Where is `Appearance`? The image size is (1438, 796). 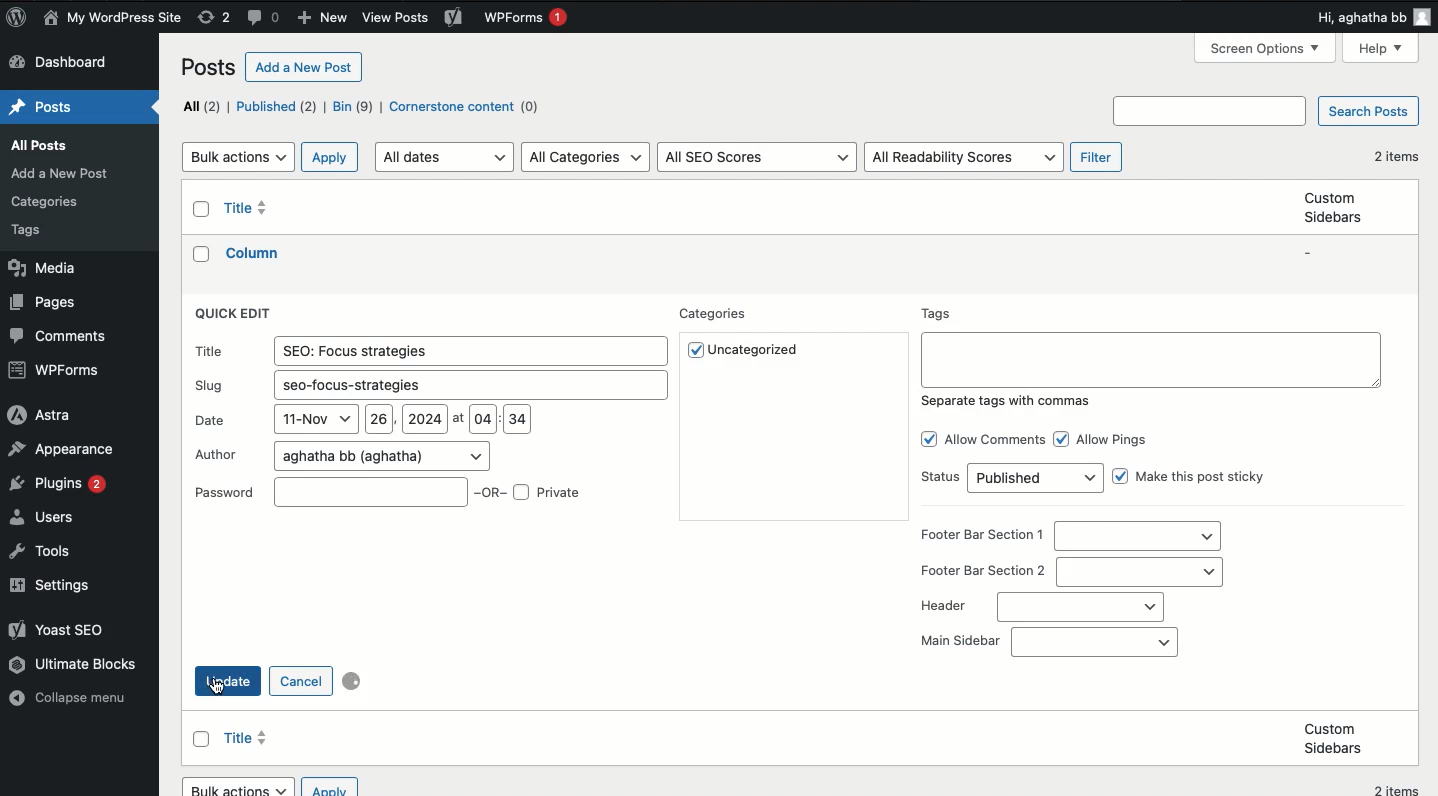
Appearance is located at coordinates (61, 450).